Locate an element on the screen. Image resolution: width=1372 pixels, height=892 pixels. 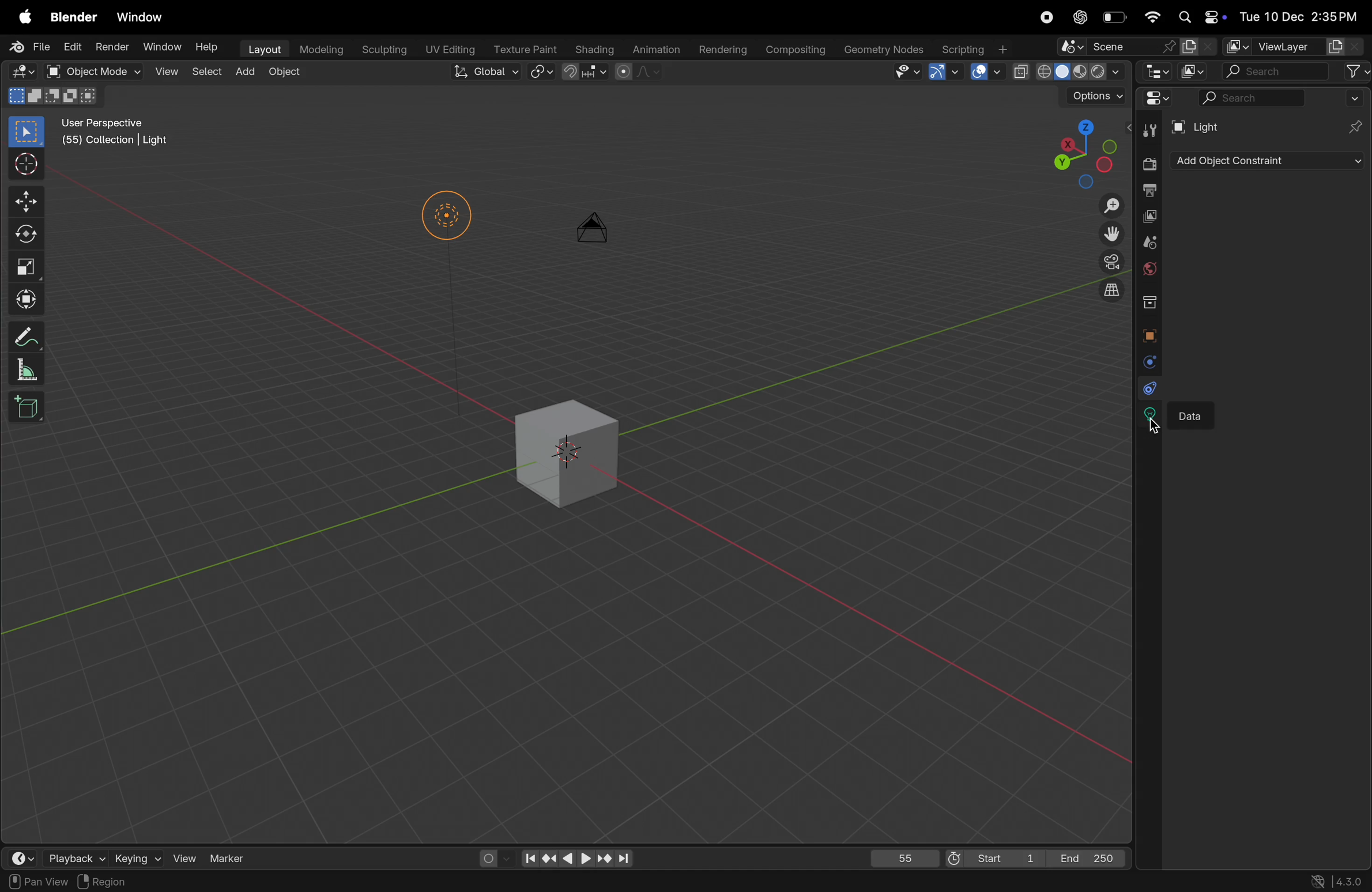
geometery nodes is located at coordinates (884, 48).